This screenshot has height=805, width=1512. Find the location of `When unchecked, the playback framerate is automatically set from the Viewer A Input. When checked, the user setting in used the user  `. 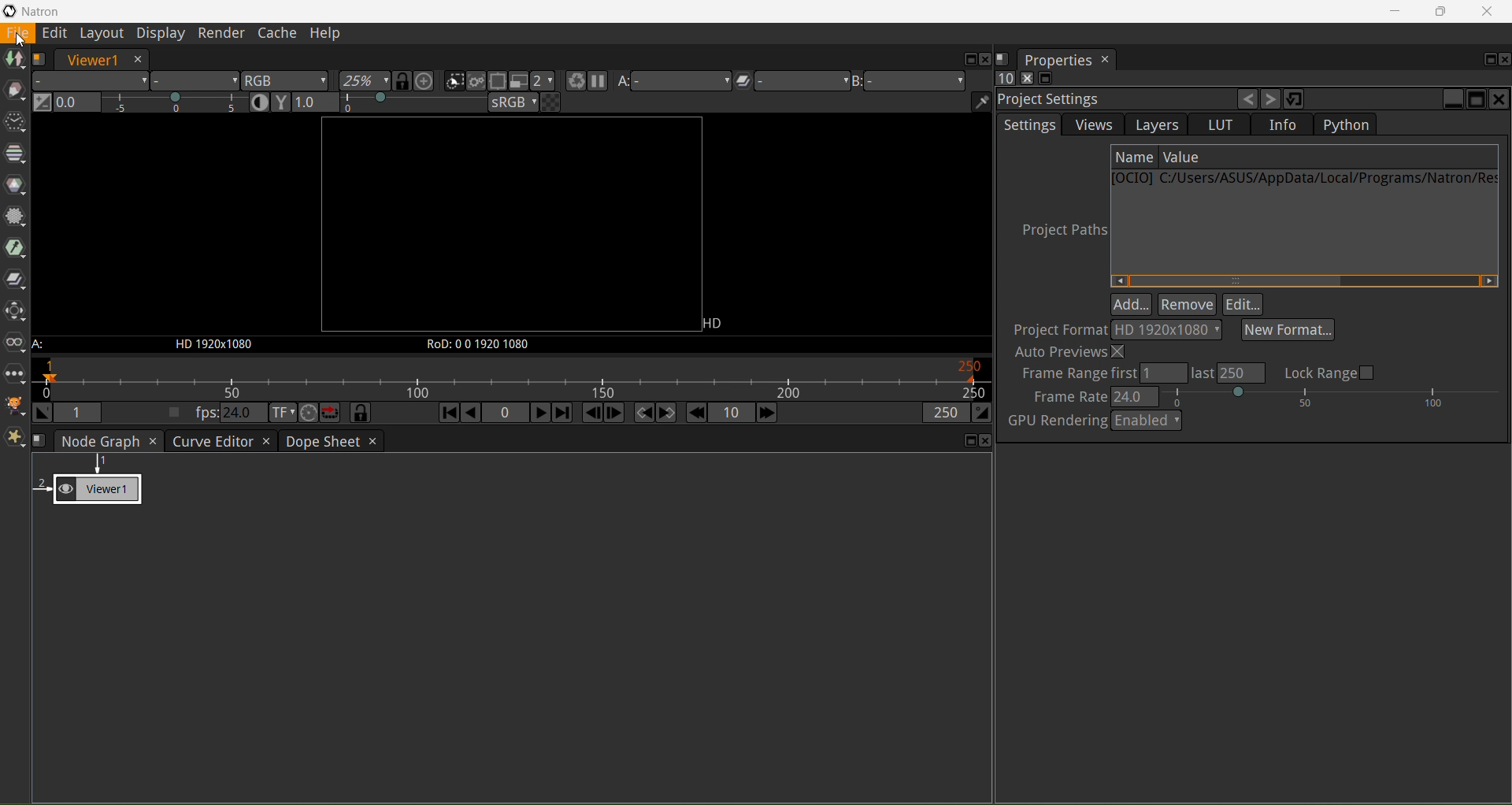

When unchecked, the playback framerate is automatically set from the Viewer A Input. When checked, the user setting in used the user   is located at coordinates (172, 414).